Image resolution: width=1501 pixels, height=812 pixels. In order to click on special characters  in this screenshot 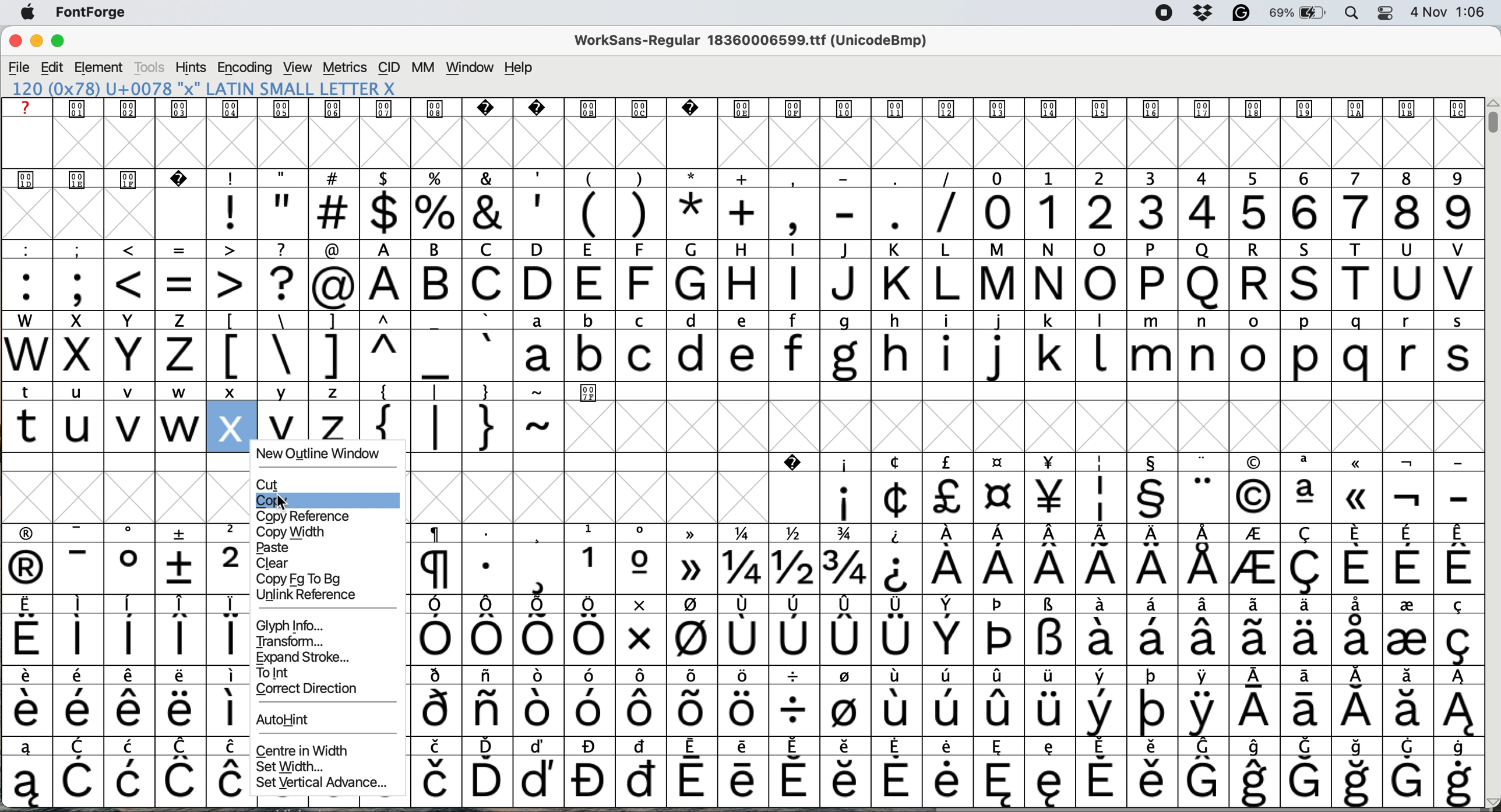, I will do `click(61, 391)`.